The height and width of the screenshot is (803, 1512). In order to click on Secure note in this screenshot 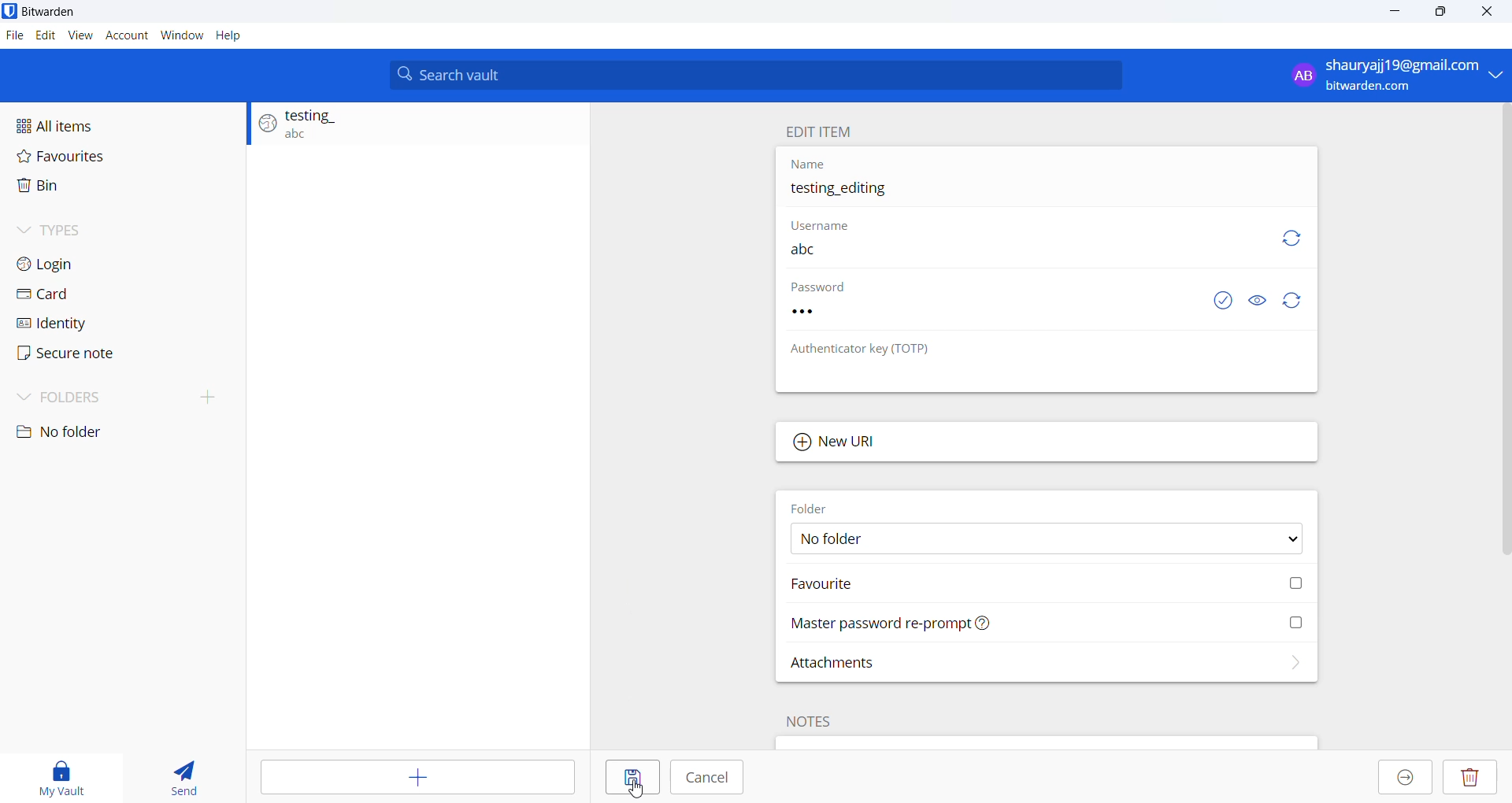, I will do `click(79, 354)`.